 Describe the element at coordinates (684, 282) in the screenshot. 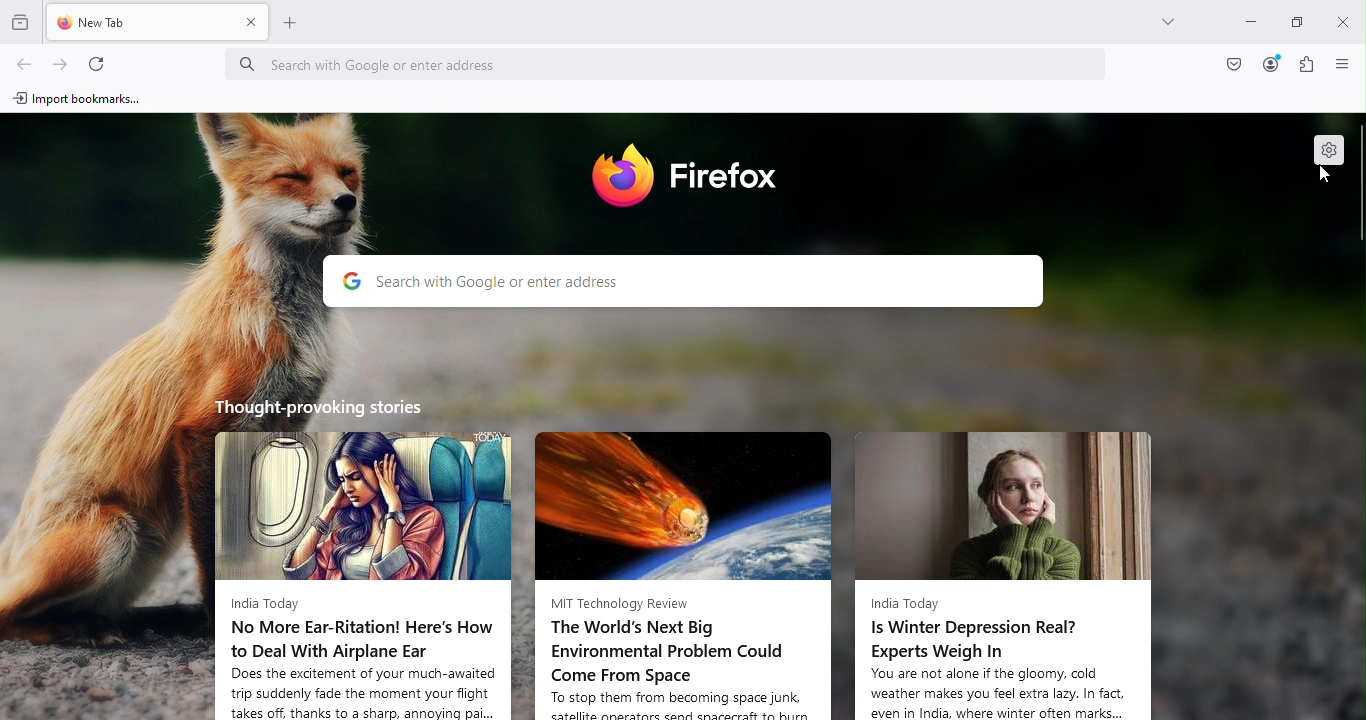

I see `Search bar` at that location.